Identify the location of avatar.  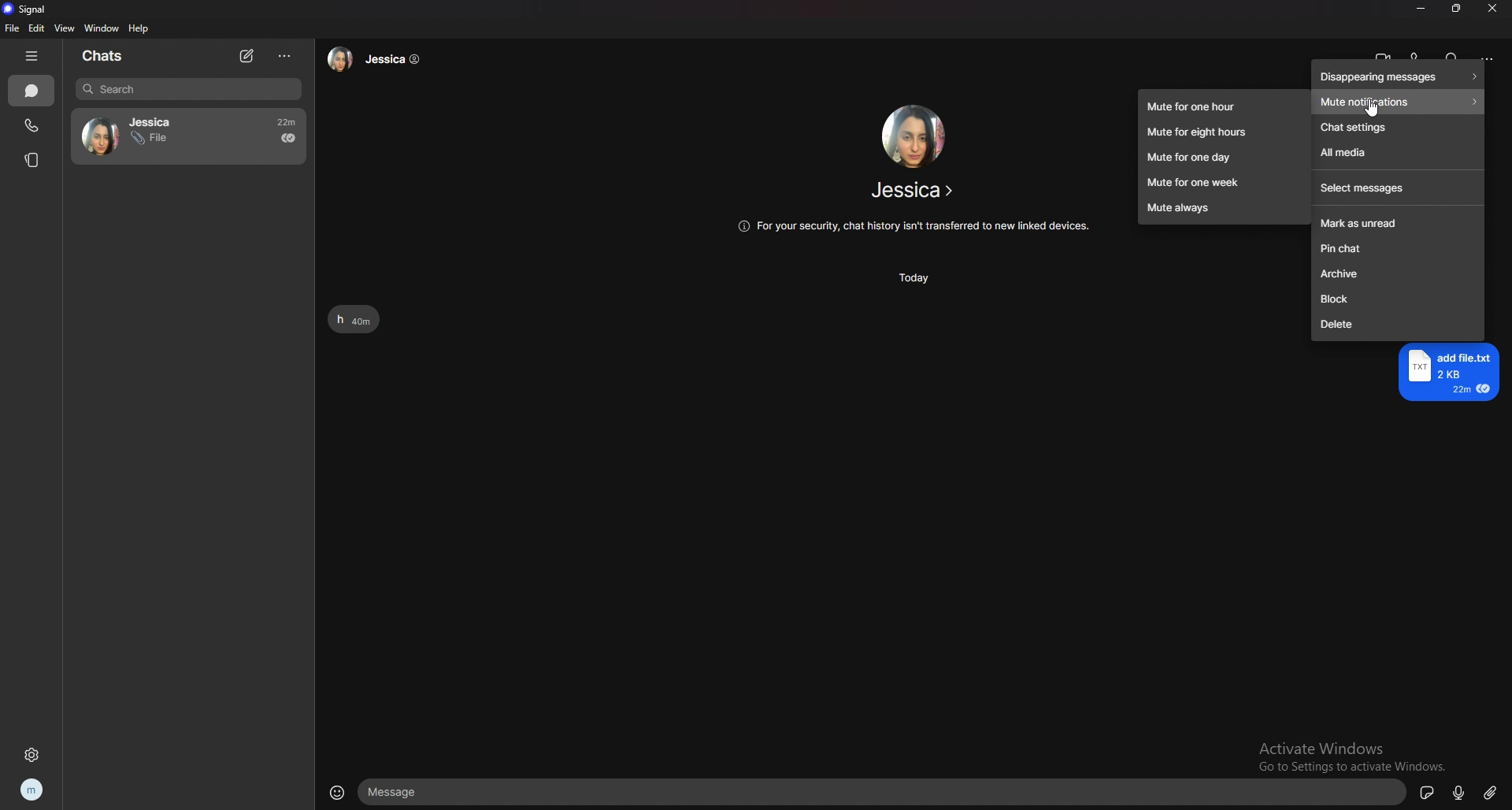
(97, 134).